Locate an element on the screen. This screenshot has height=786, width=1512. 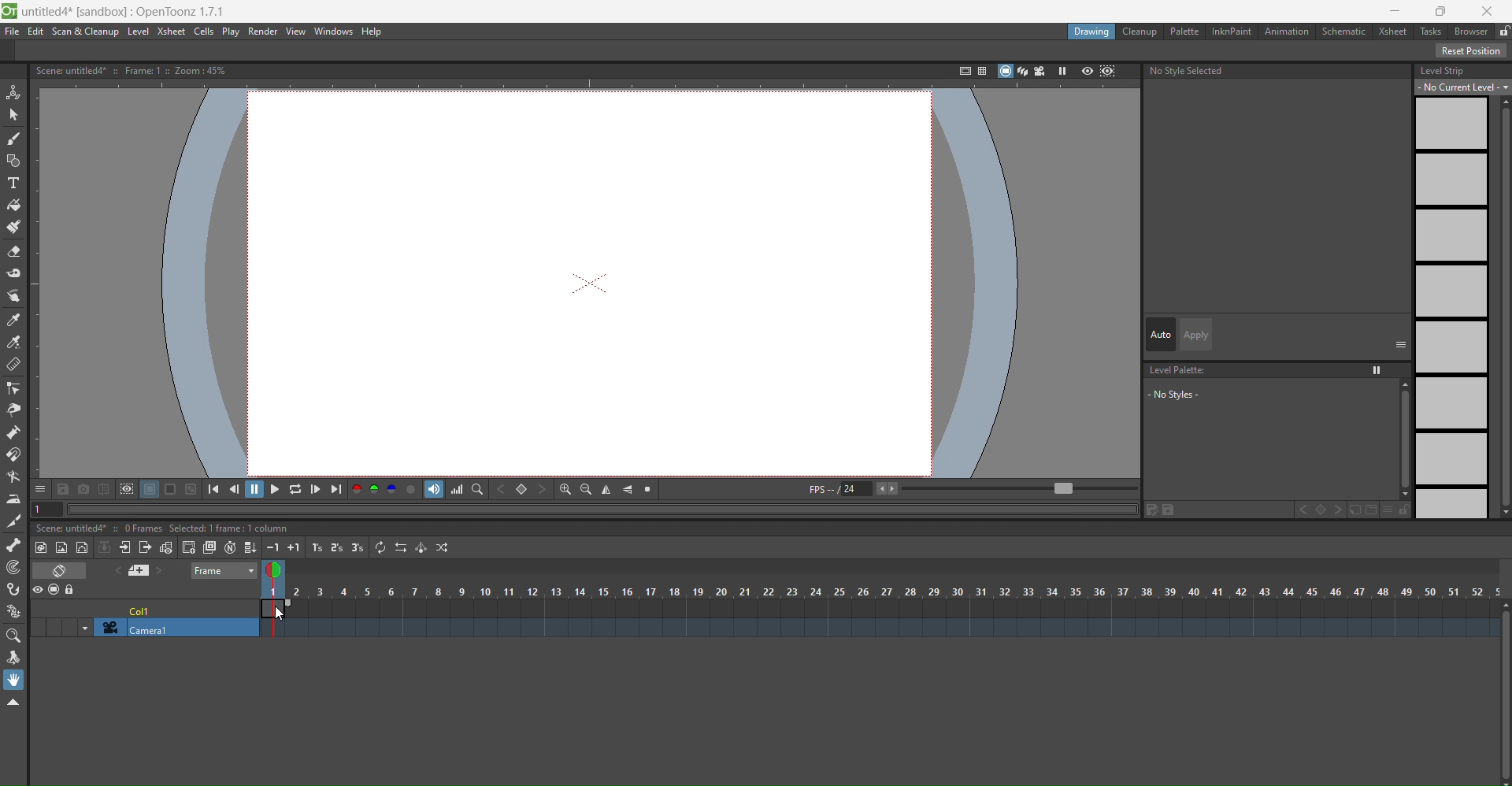
iron tool is located at coordinates (13, 500).